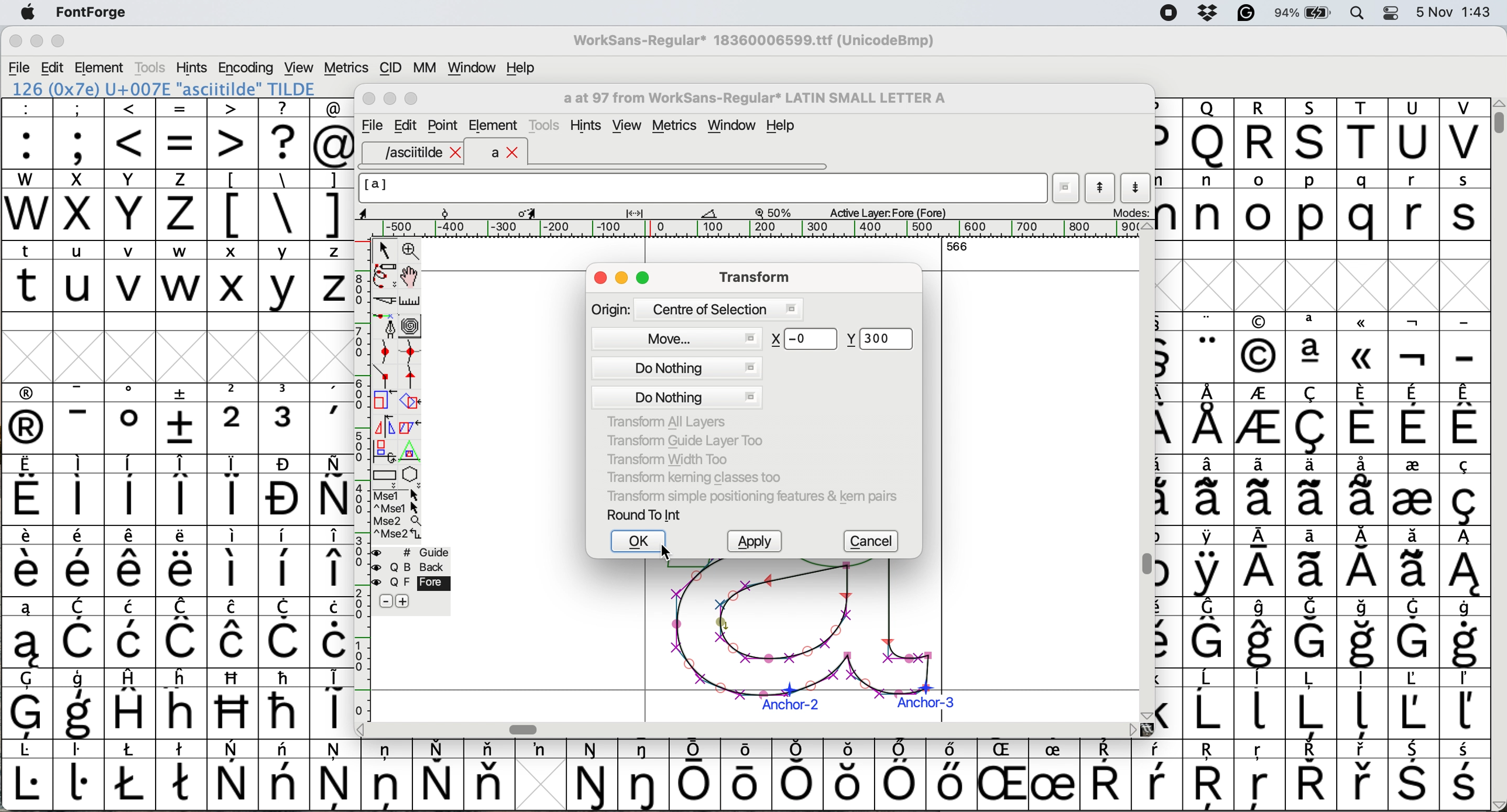  I want to click on symbol, so click(285, 775).